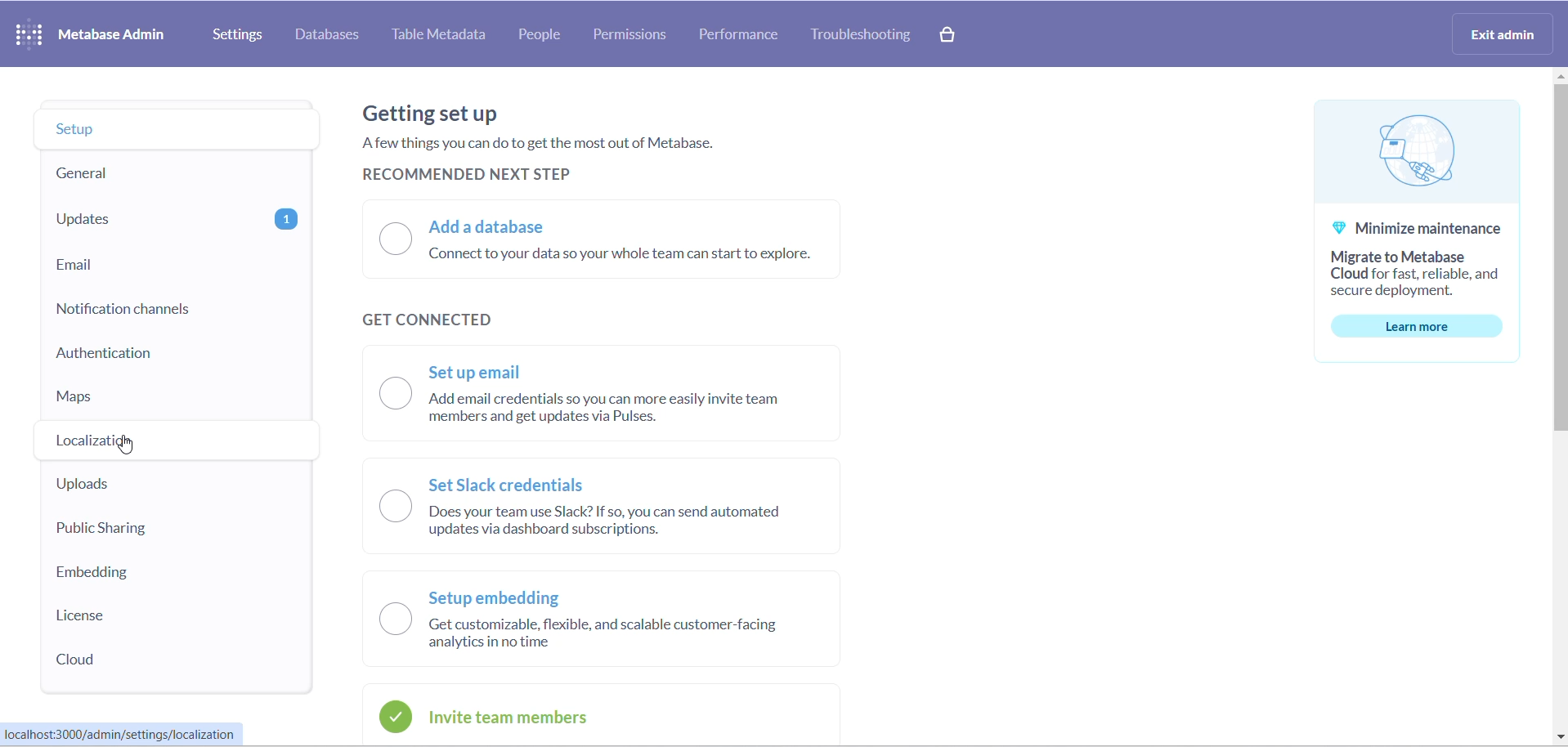  What do you see at coordinates (181, 359) in the screenshot?
I see `AUTHENTICATION` at bounding box center [181, 359].